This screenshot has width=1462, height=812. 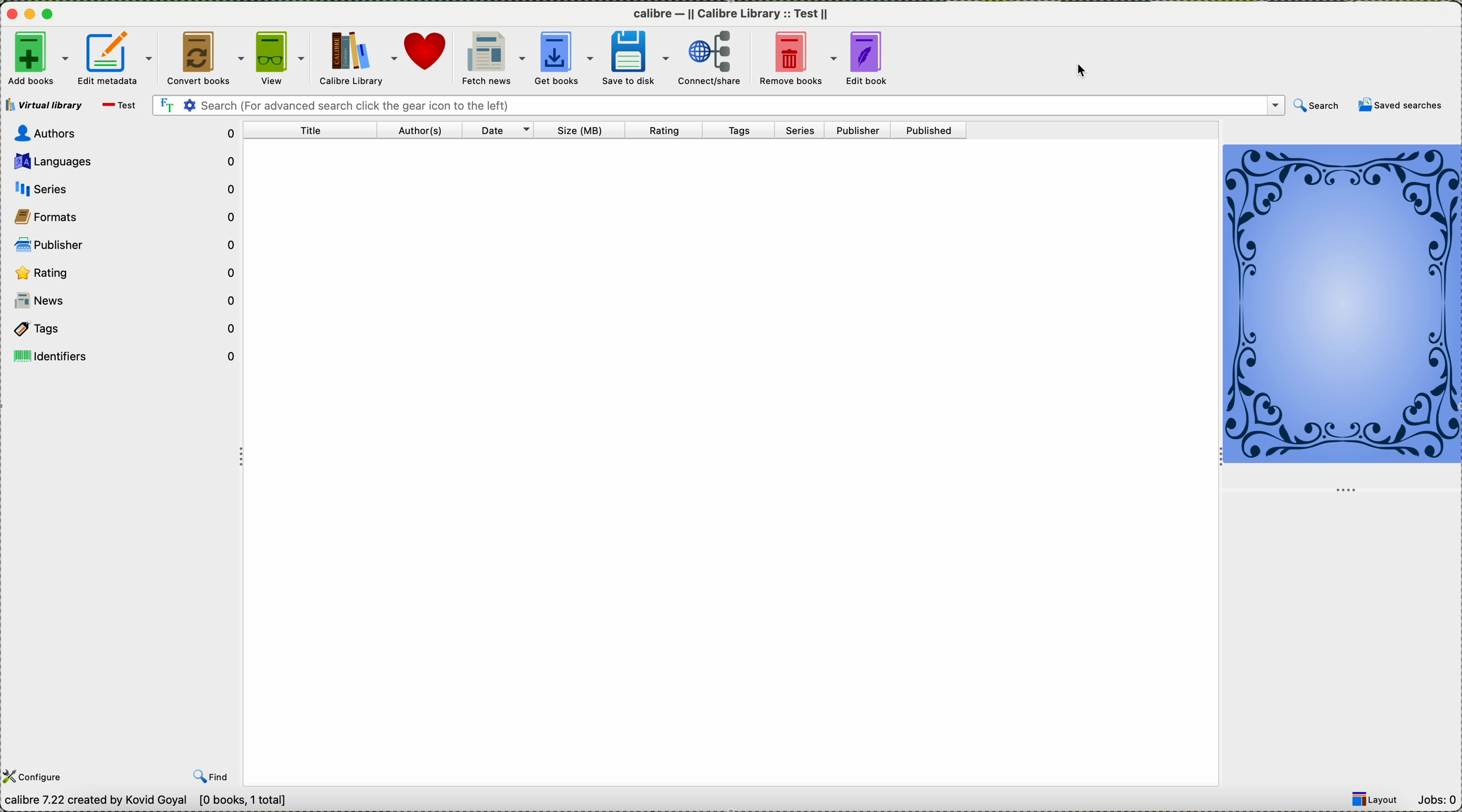 What do you see at coordinates (123, 216) in the screenshot?
I see `formats` at bounding box center [123, 216].